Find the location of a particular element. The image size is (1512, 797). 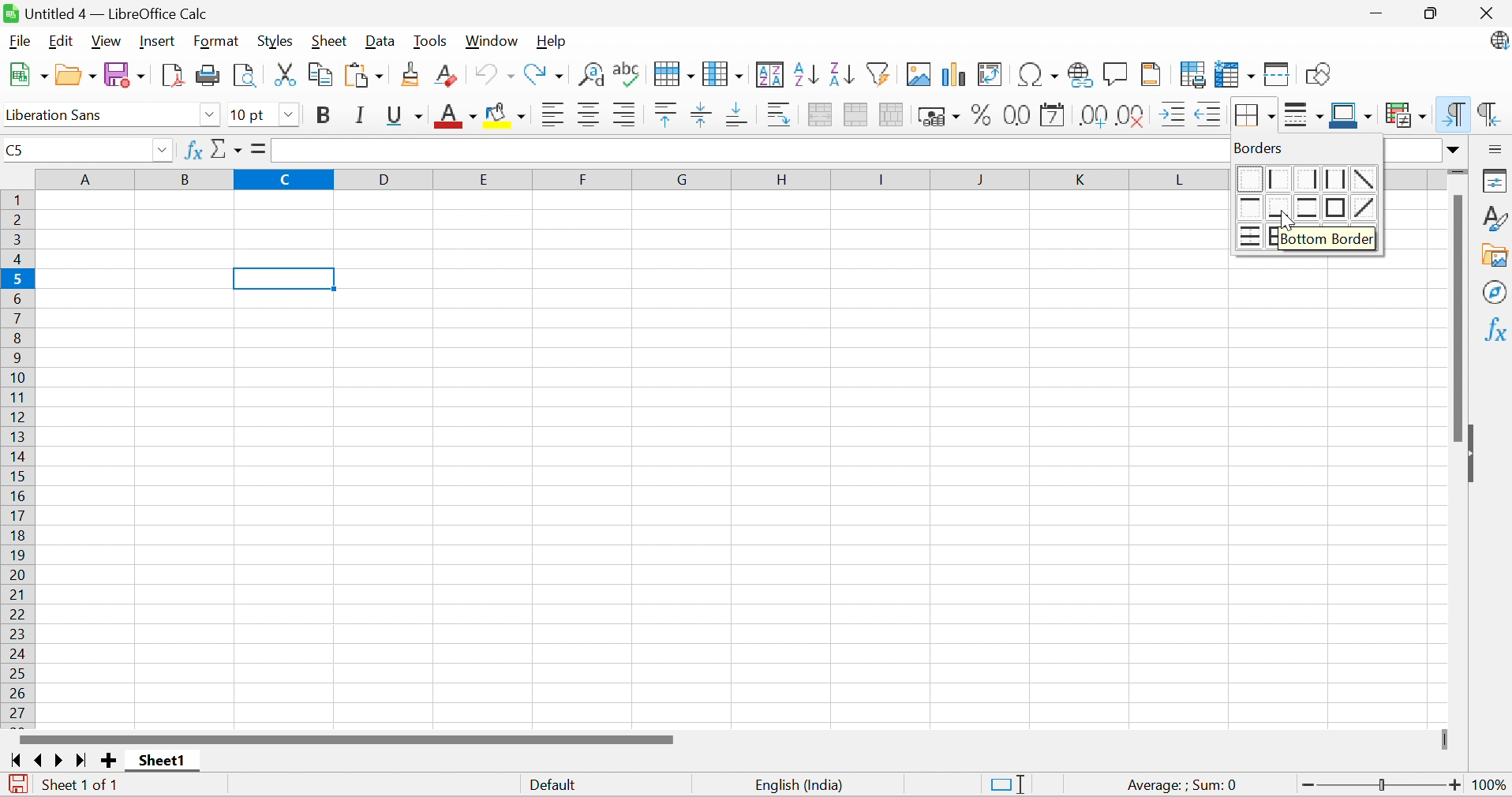

Left-to-right is located at coordinates (1452, 114).